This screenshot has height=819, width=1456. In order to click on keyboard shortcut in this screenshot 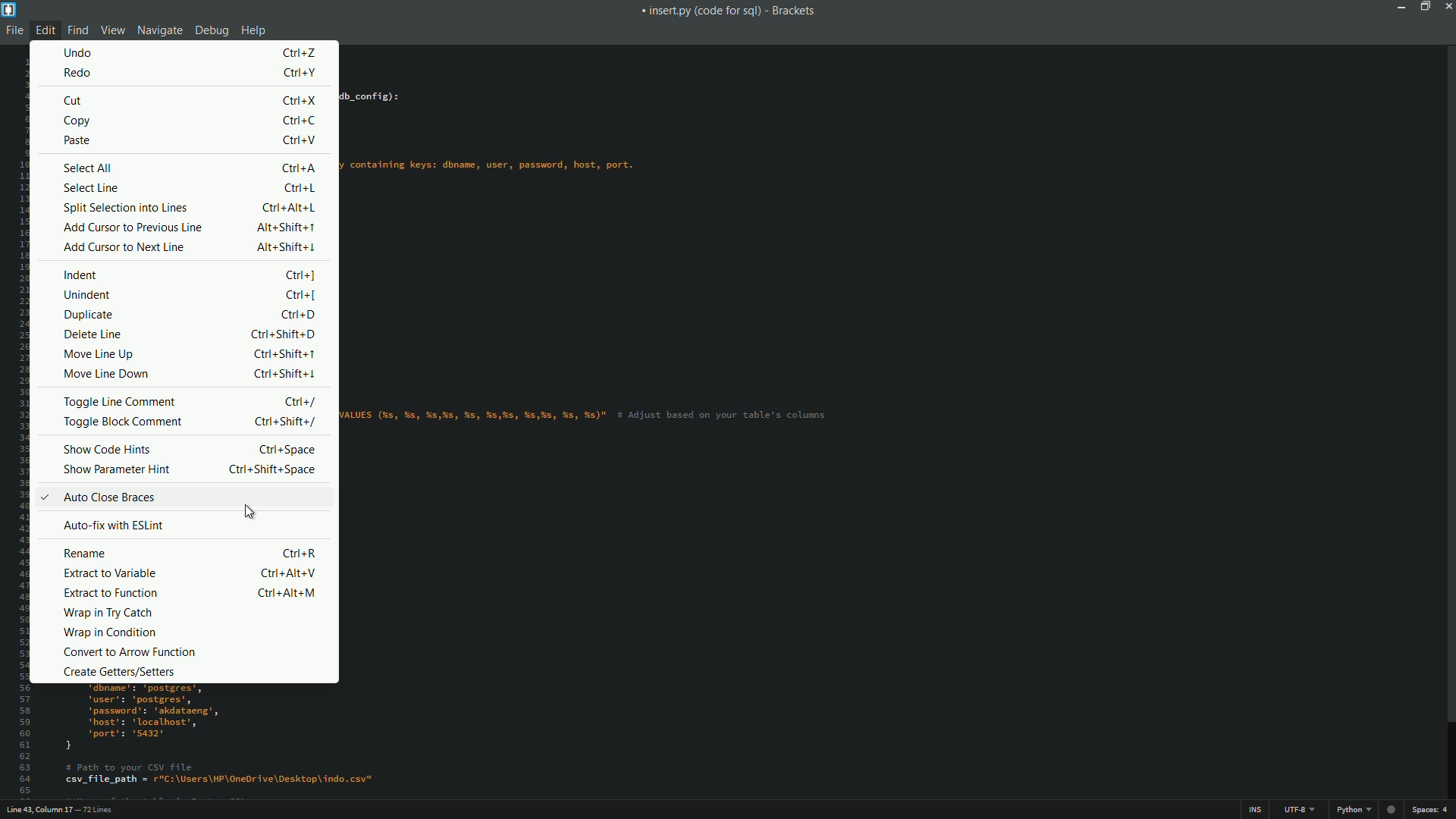, I will do `click(289, 207)`.